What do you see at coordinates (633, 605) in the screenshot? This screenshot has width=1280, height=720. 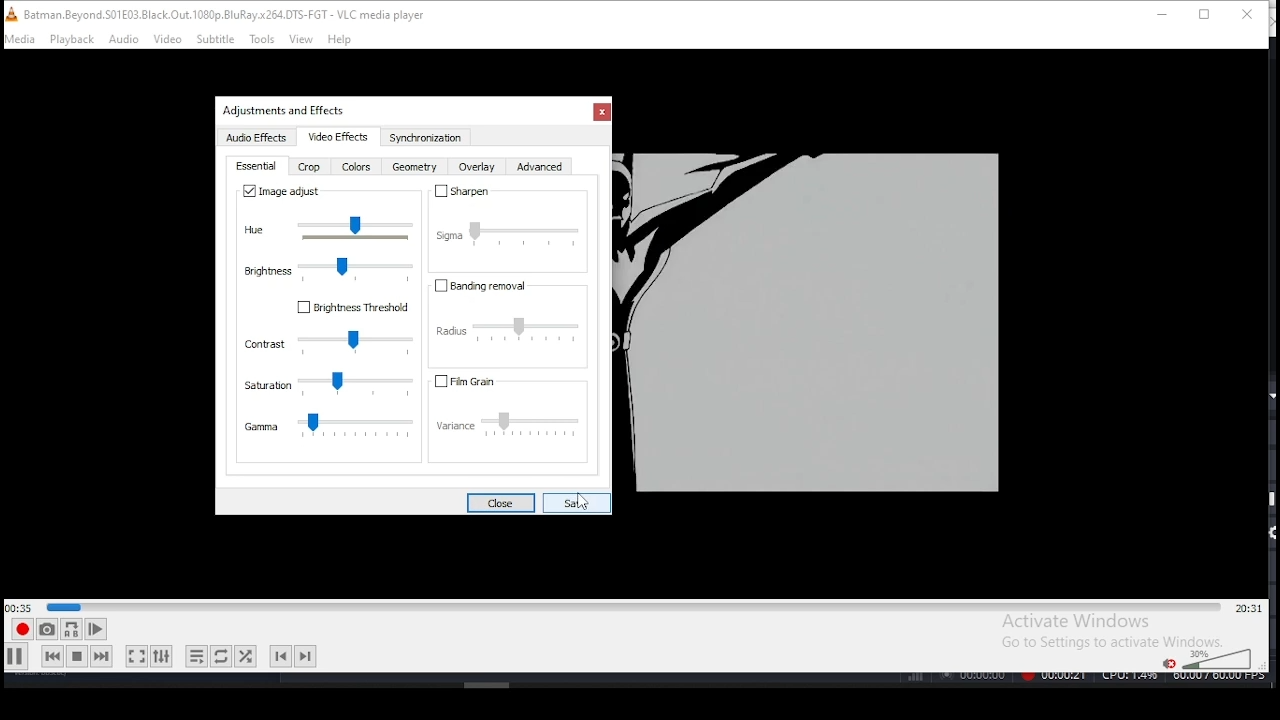 I see `seek bar` at bounding box center [633, 605].